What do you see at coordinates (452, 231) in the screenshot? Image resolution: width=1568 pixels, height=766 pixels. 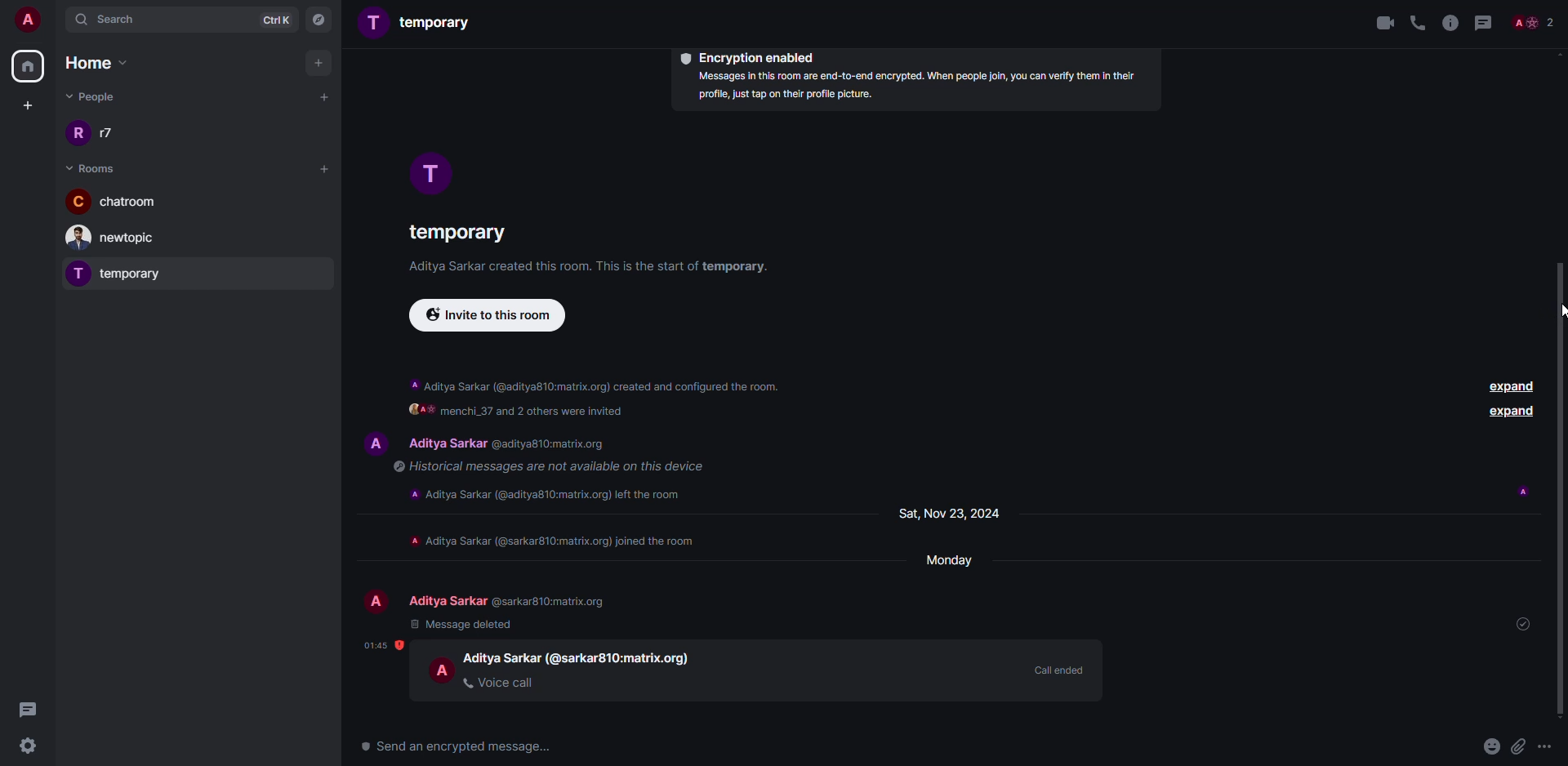 I see `temporary` at bounding box center [452, 231].